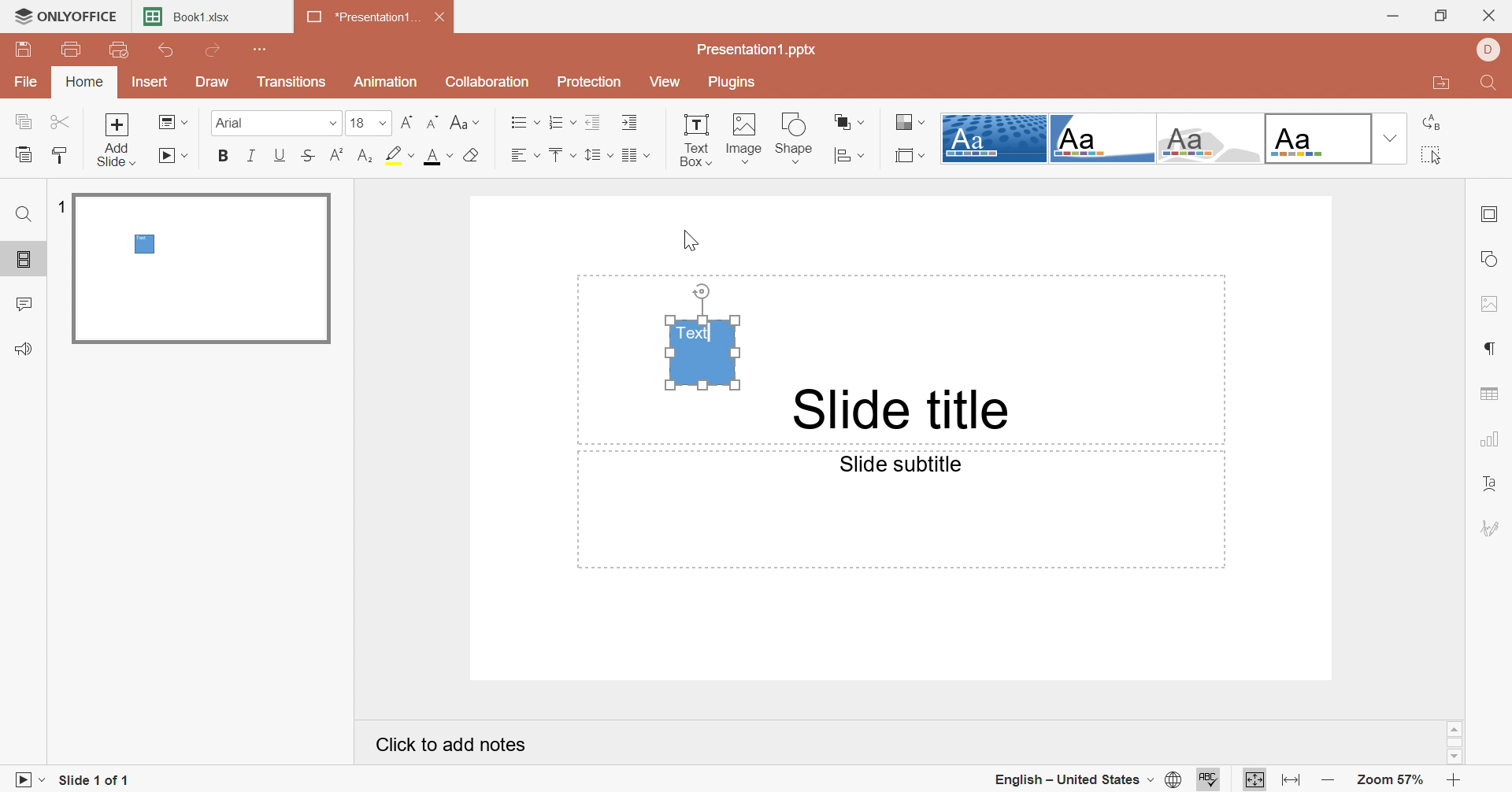  What do you see at coordinates (908, 466) in the screenshot?
I see `Slide subtitle` at bounding box center [908, 466].